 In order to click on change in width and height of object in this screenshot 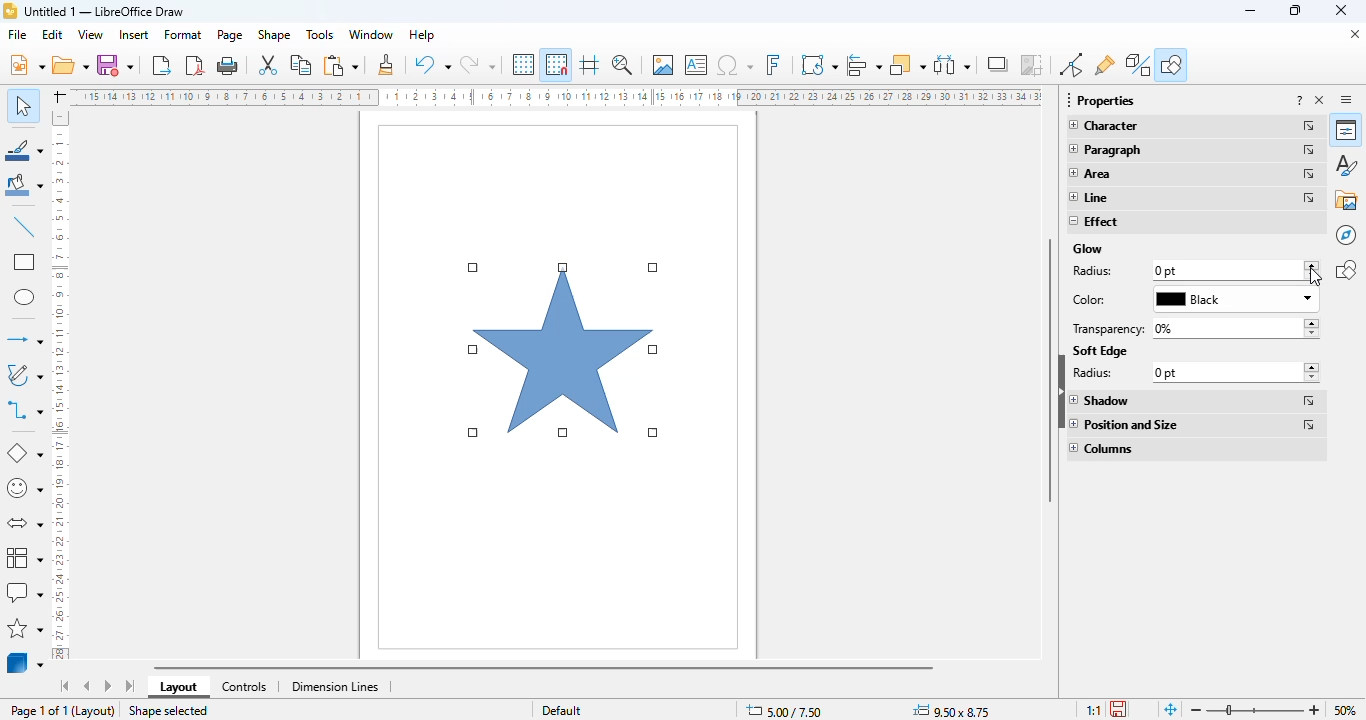, I will do `click(952, 711)`.